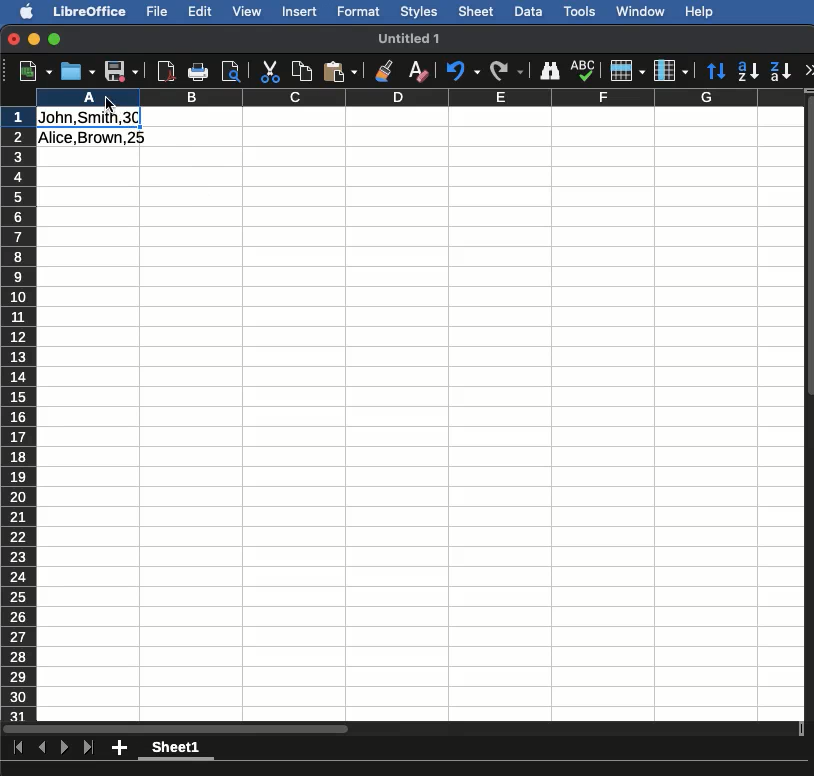 Image resolution: width=814 pixels, height=776 pixels. Describe the element at coordinates (118, 748) in the screenshot. I see `Add new sheet` at that location.